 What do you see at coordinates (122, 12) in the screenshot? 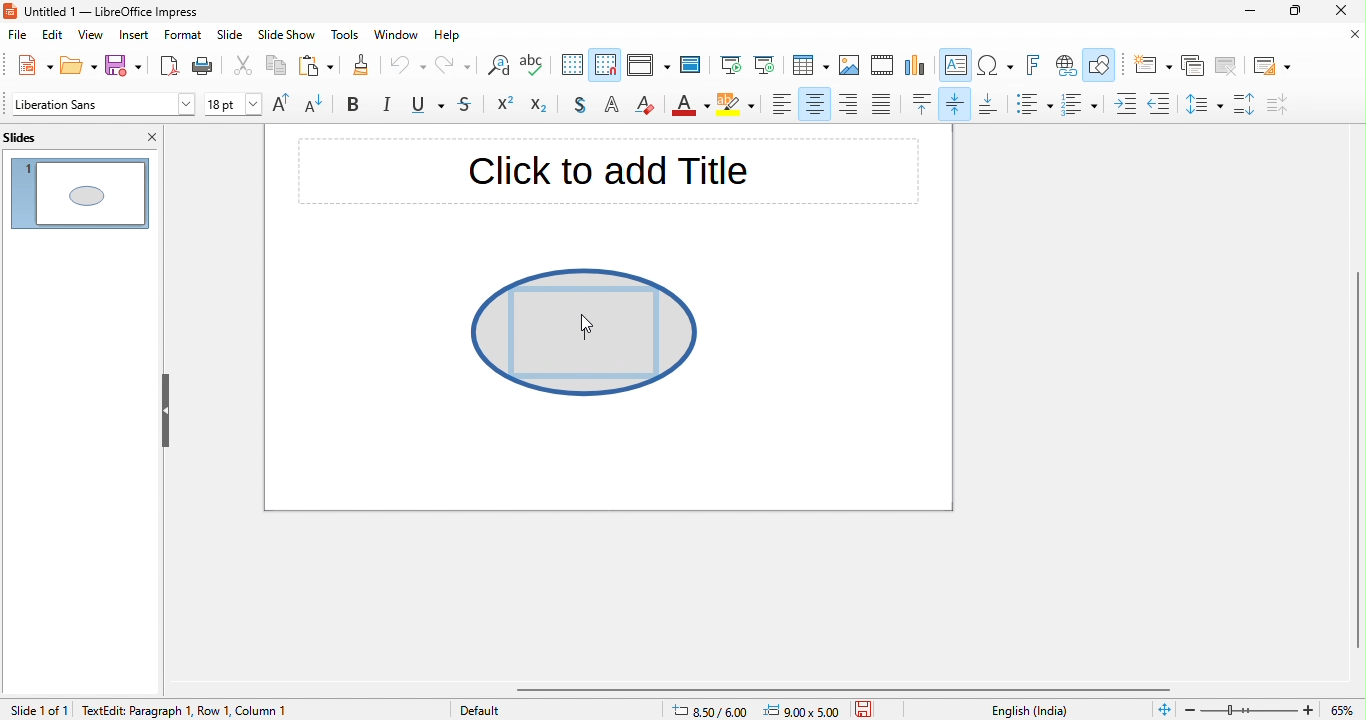
I see `untitled 1- libreoffice impress` at bounding box center [122, 12].